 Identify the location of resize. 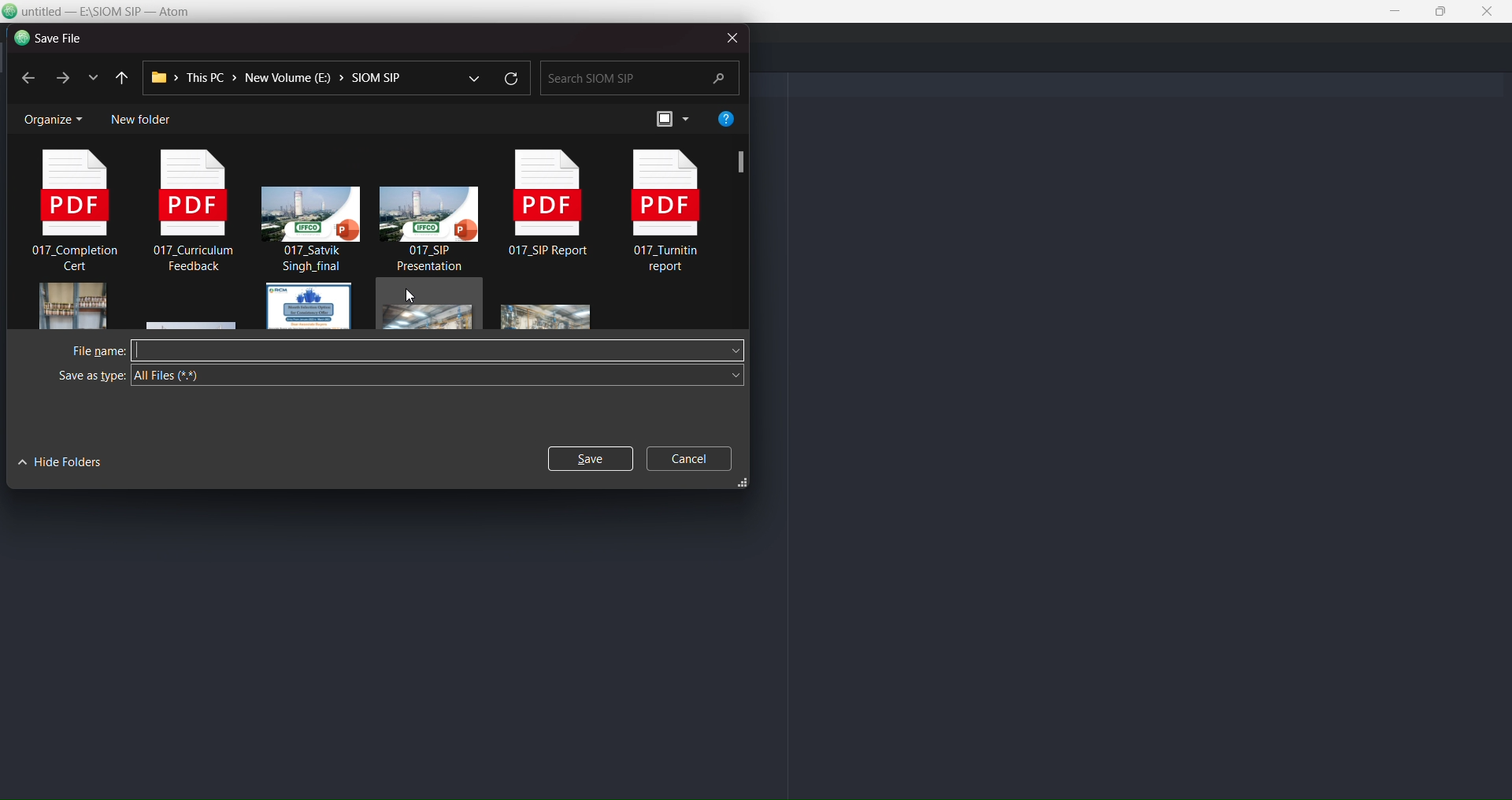
(744, 486).